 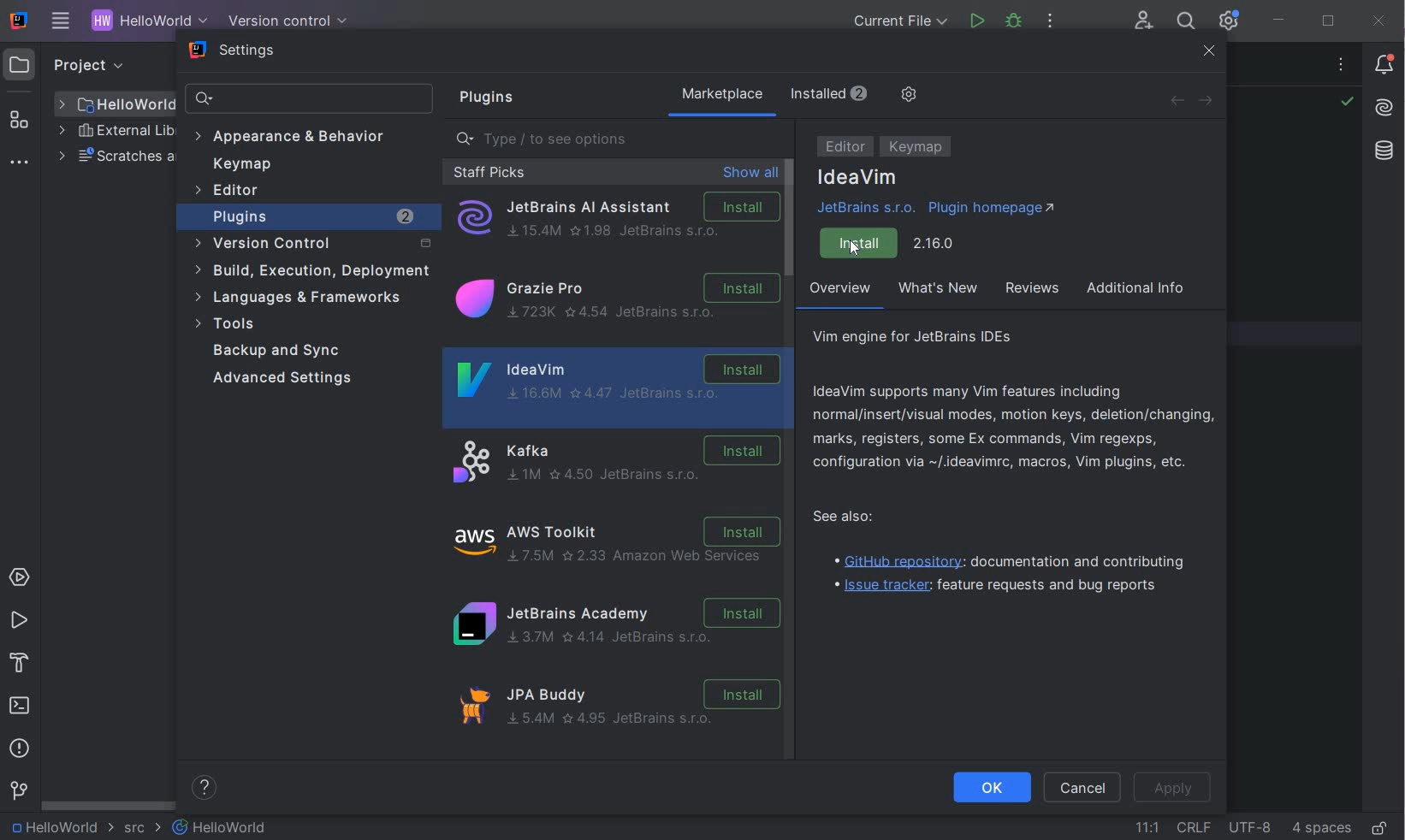 What do you see at coordinates (1011, 560) in the screenshot?
I see `GitHub repository` at bounding box center [1011, 560].